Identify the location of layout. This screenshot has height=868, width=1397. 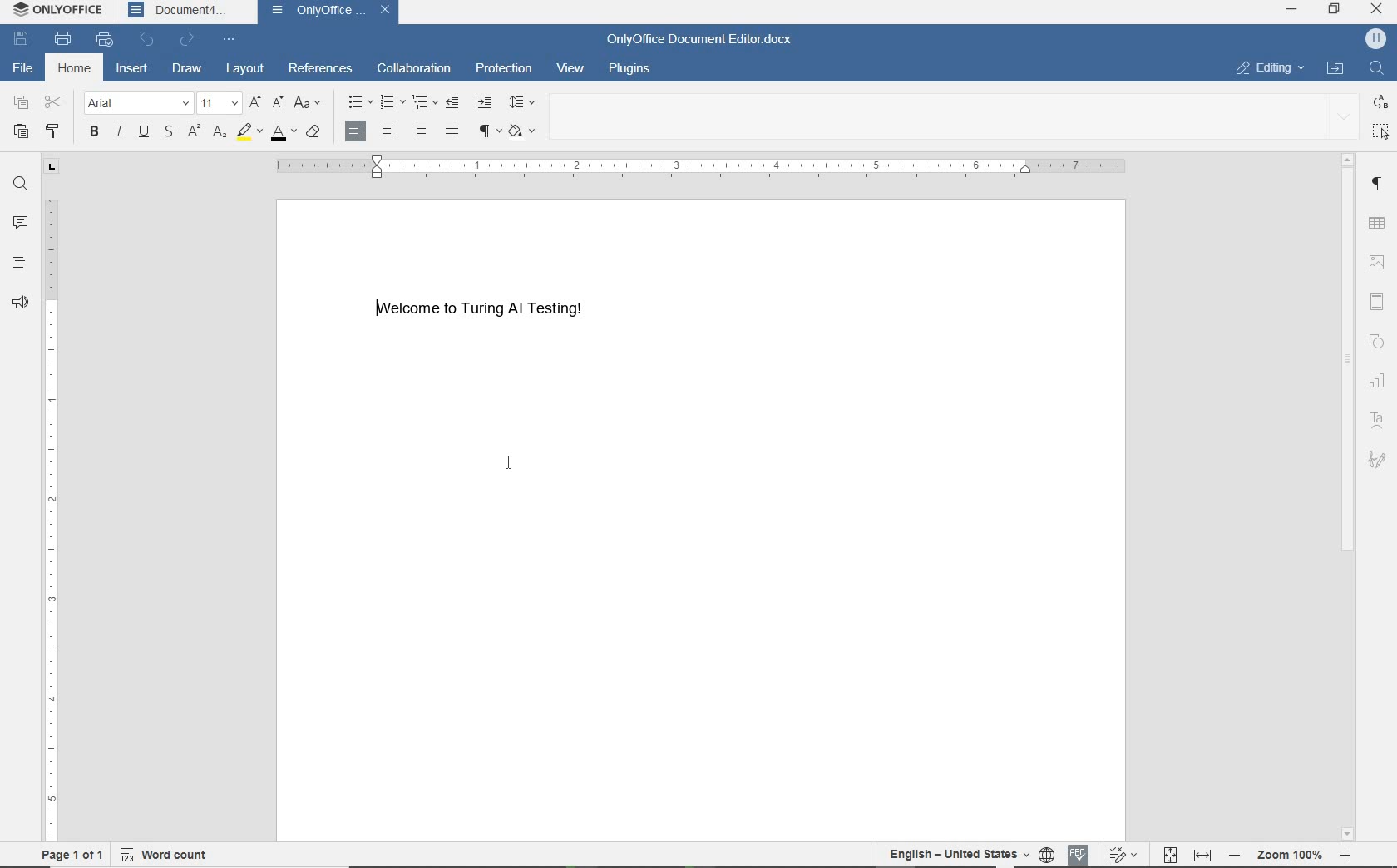
(244, 69).